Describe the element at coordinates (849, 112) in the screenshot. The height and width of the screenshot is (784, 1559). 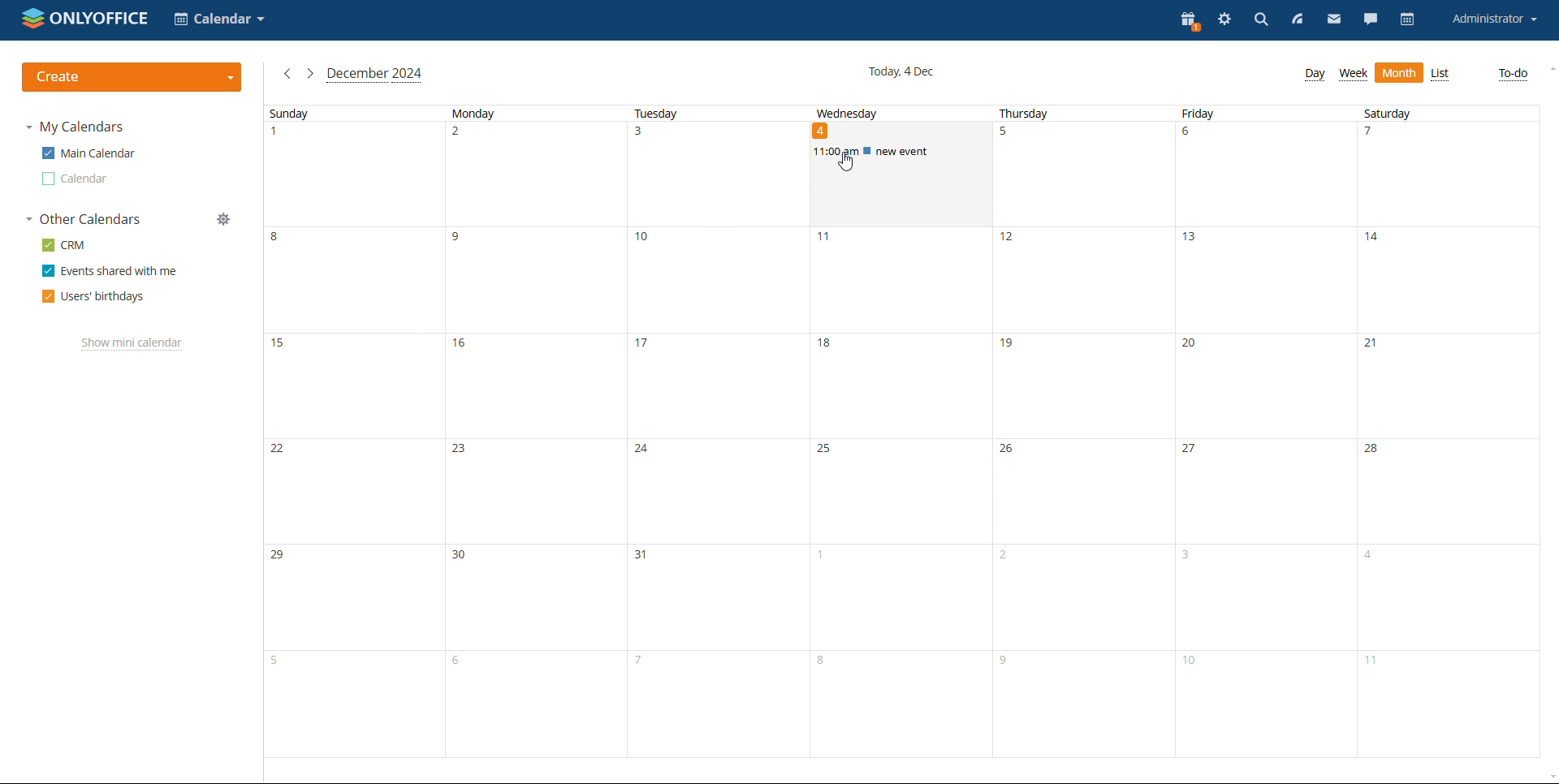
I see `wednesday` at that location.